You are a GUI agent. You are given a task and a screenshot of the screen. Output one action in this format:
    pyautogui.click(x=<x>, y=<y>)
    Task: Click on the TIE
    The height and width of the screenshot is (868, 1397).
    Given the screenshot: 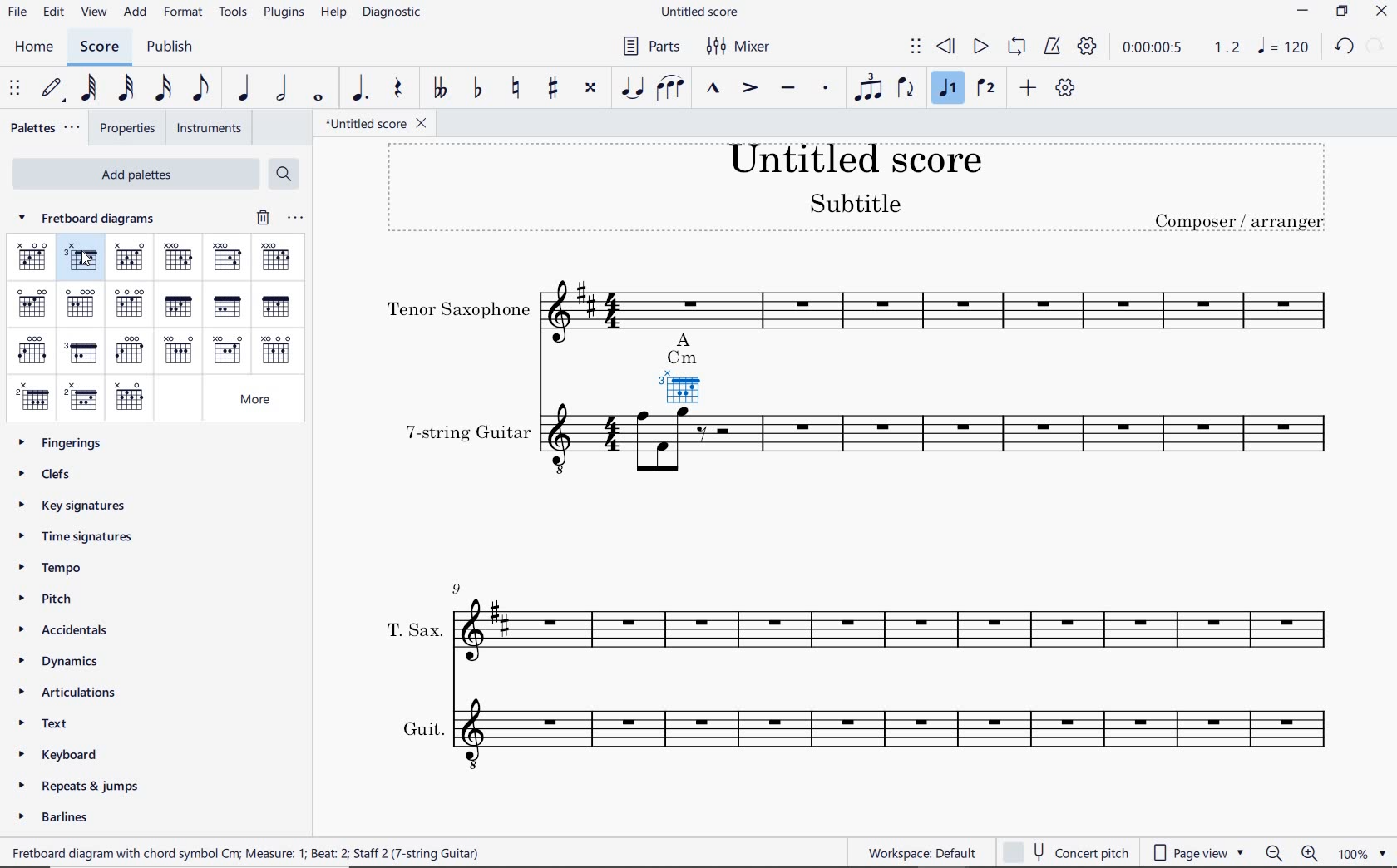 What is the action you would take?
    pyautogui.click(x=631, y=88)
    